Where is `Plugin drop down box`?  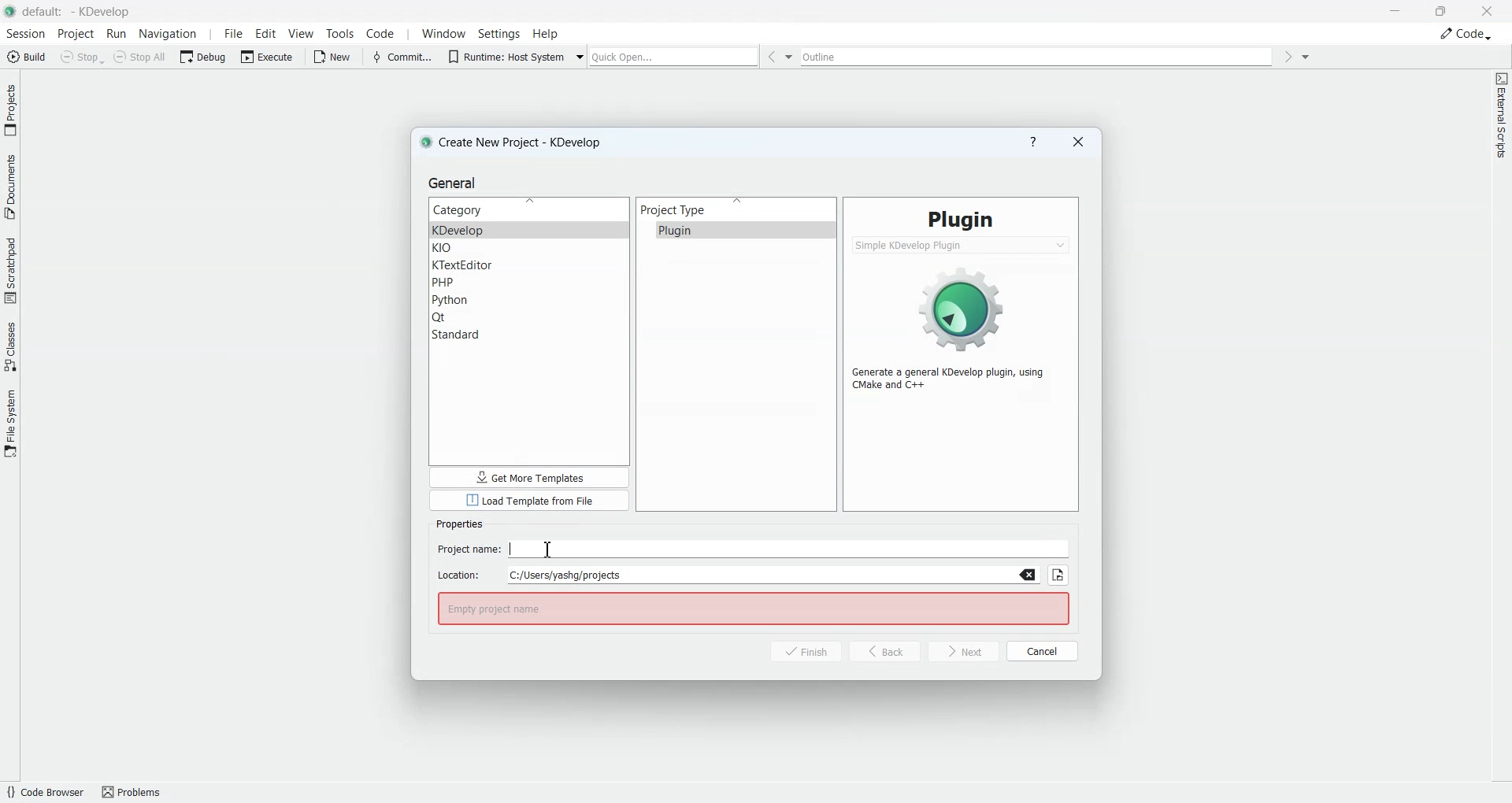 Plugin drop down box is located at coordinates (962, 245).